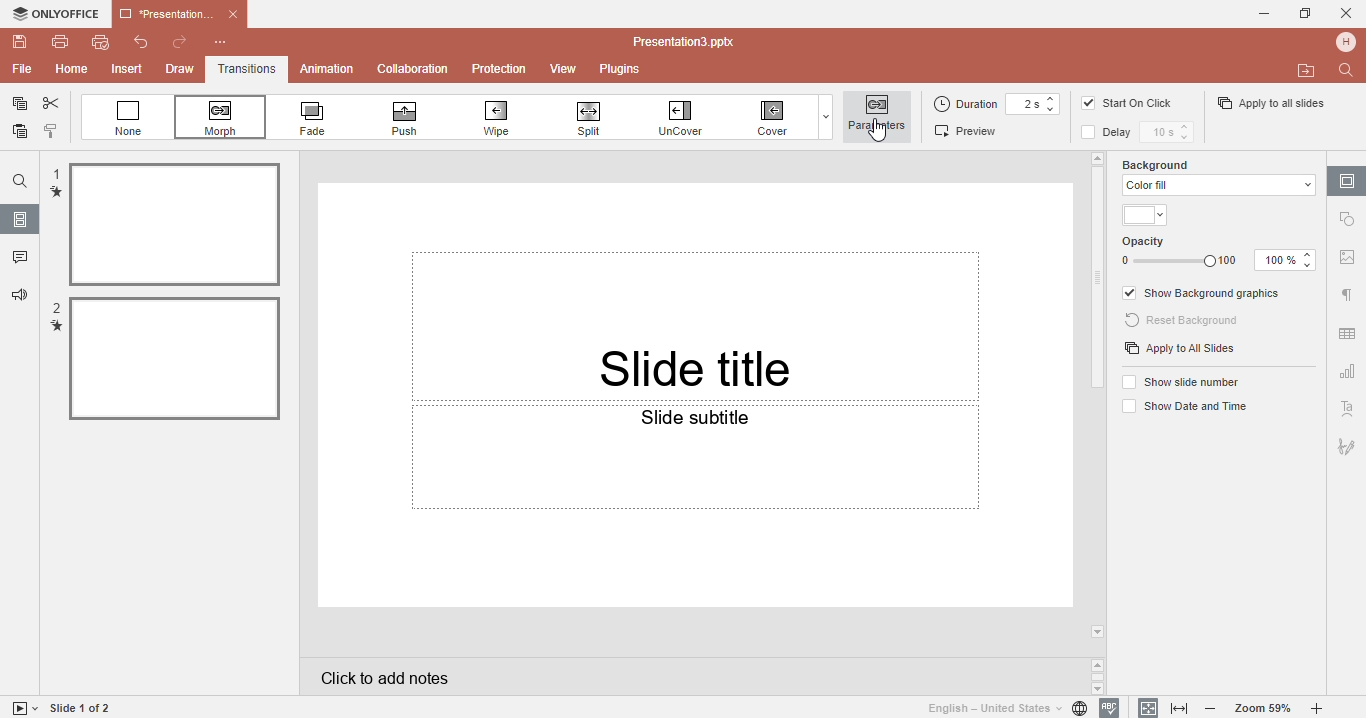 The height and width of the screenshot is (718, 1366). Describe the element at coordinates (178, 70) in the screenshot. I see `Draw` at that location.